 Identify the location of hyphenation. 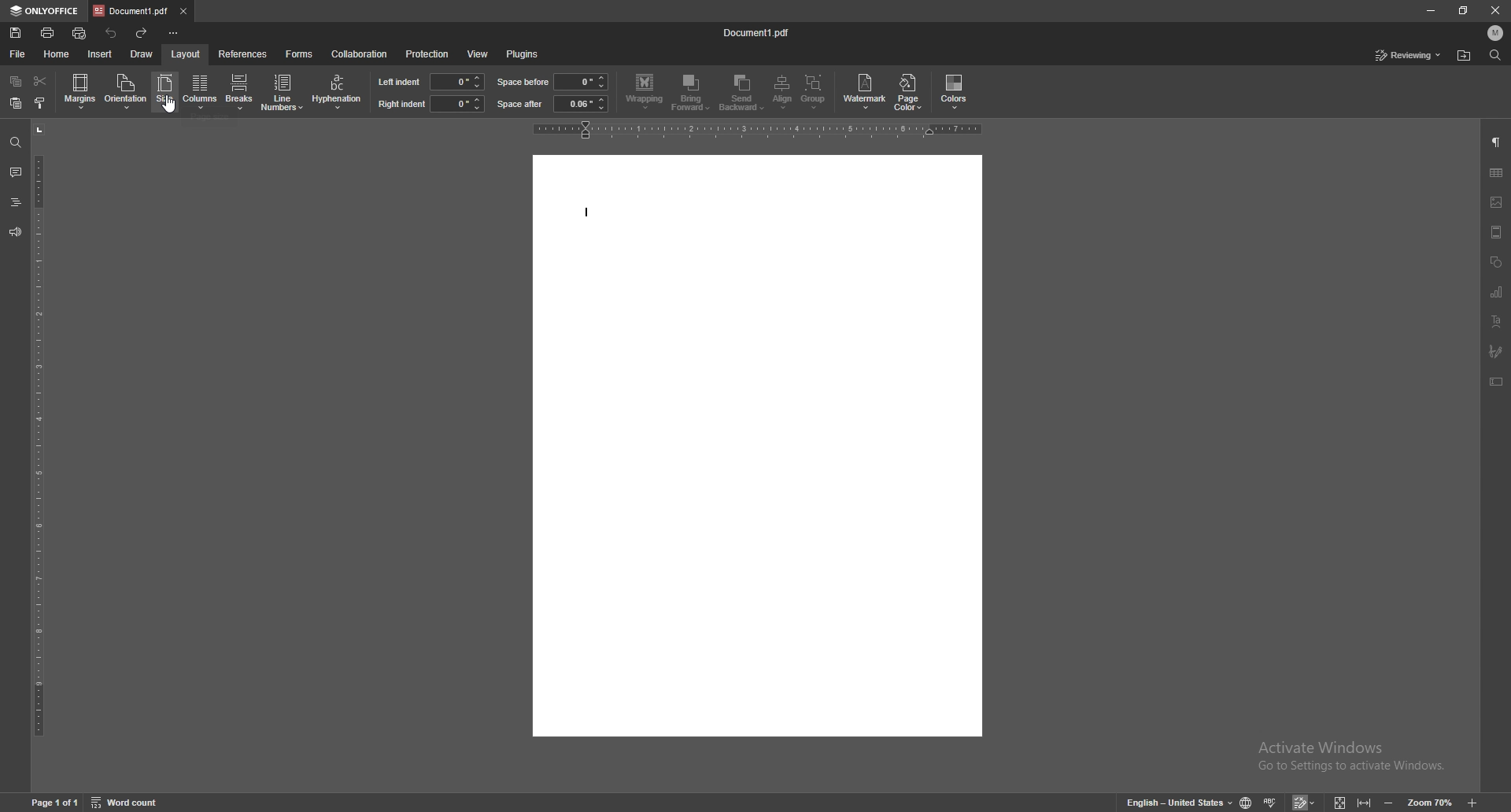
(337, 92).